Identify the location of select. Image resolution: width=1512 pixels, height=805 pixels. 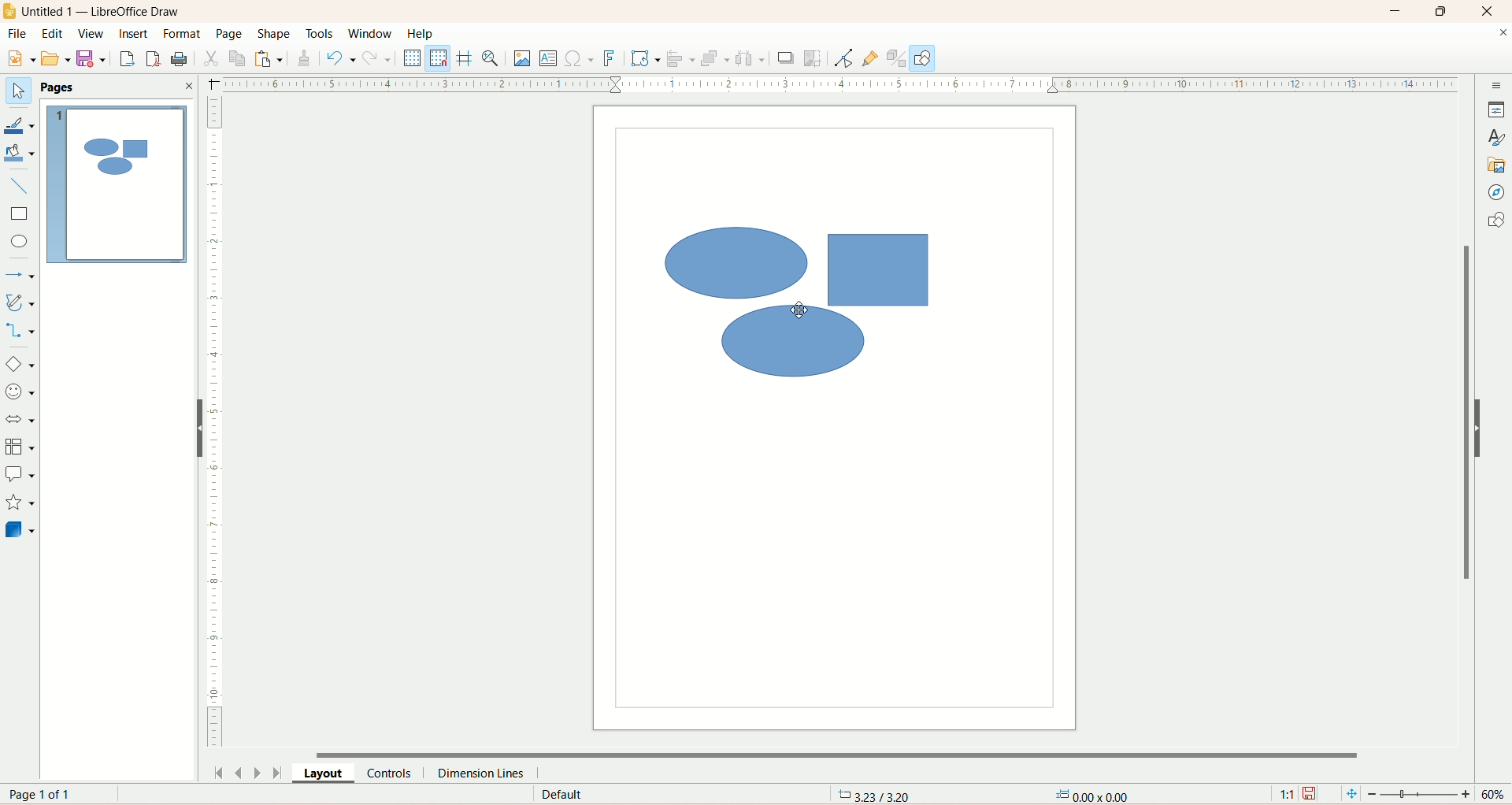
(19, 91).